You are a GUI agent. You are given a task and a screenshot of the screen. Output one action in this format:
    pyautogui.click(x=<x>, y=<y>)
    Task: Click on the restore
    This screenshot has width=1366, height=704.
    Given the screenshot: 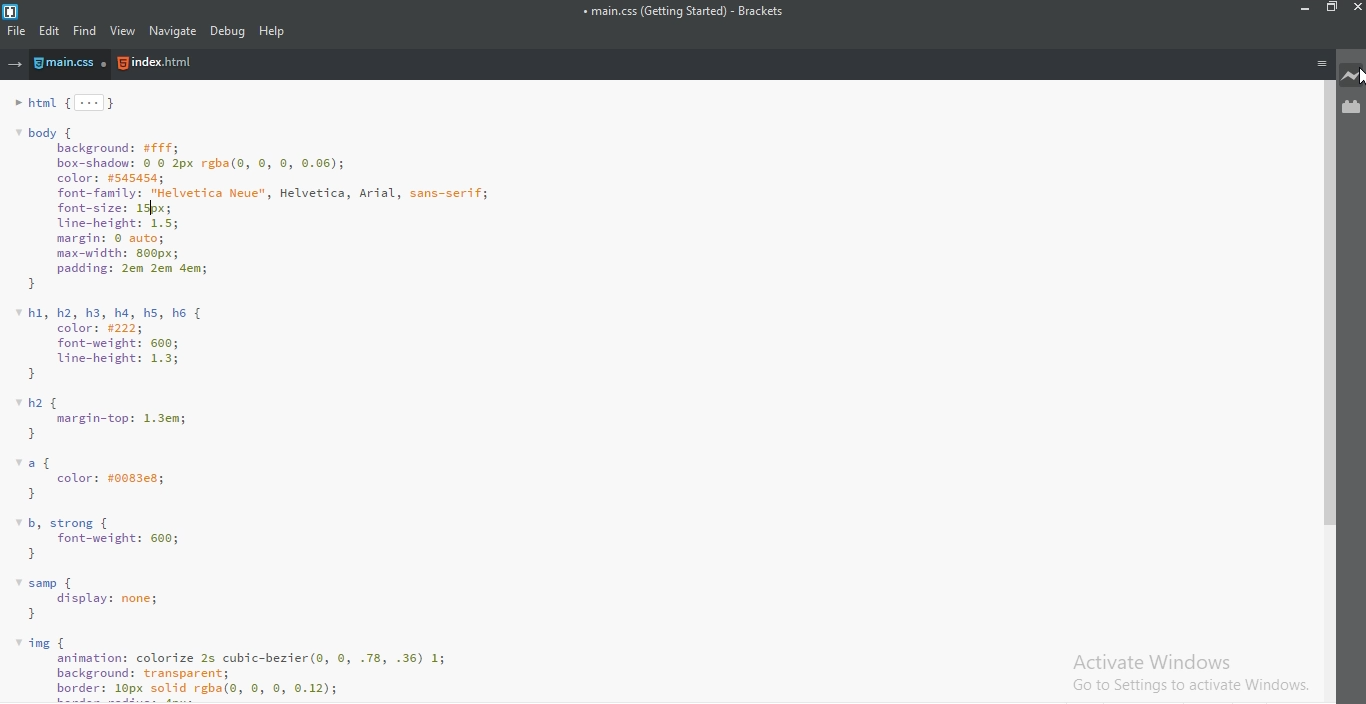 What is the action you would take?
    pyautogui.click(x=1330, y=11)
    